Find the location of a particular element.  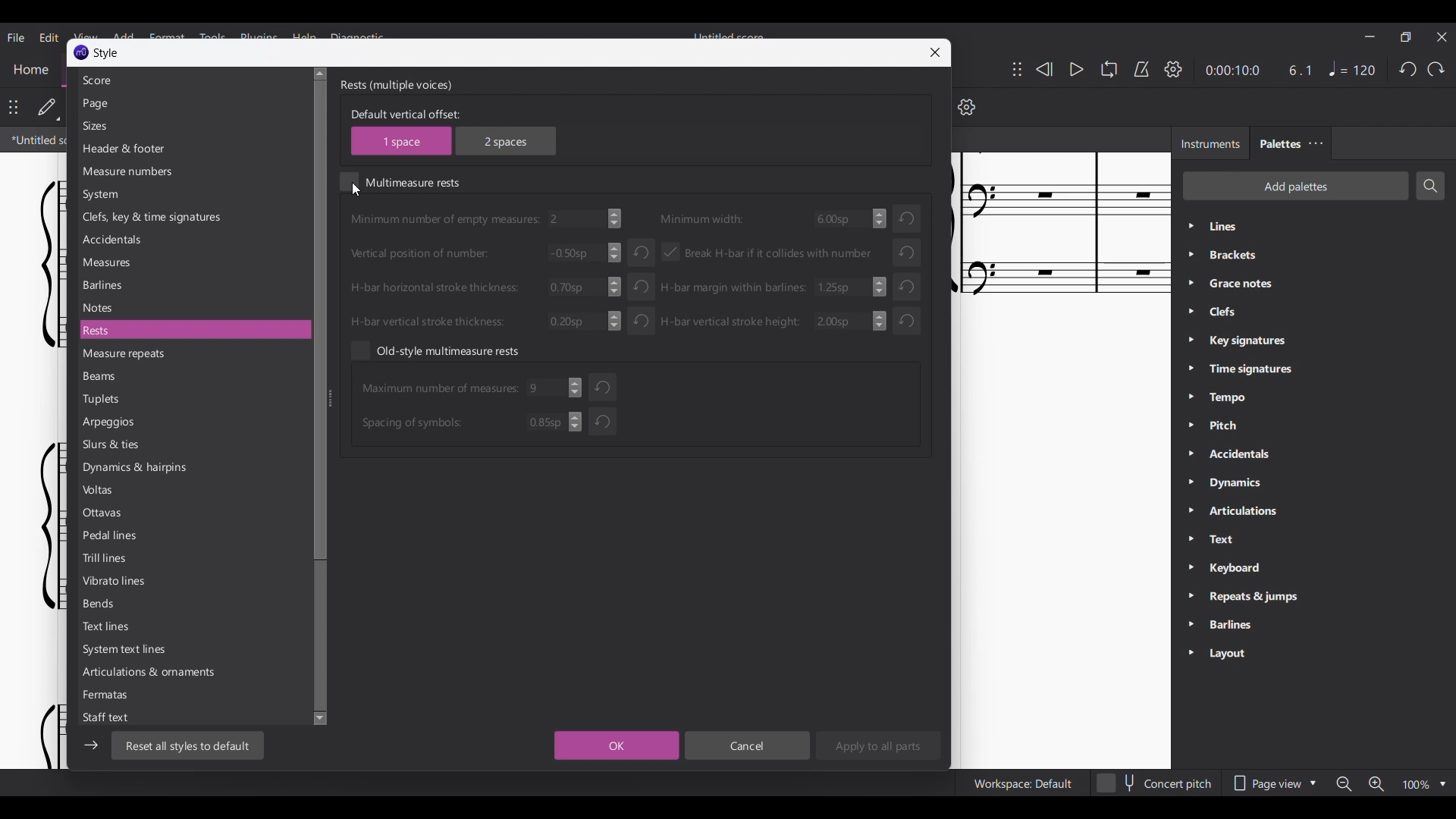

Indicates default vertical offset choice is located at coordinates (405, 114).